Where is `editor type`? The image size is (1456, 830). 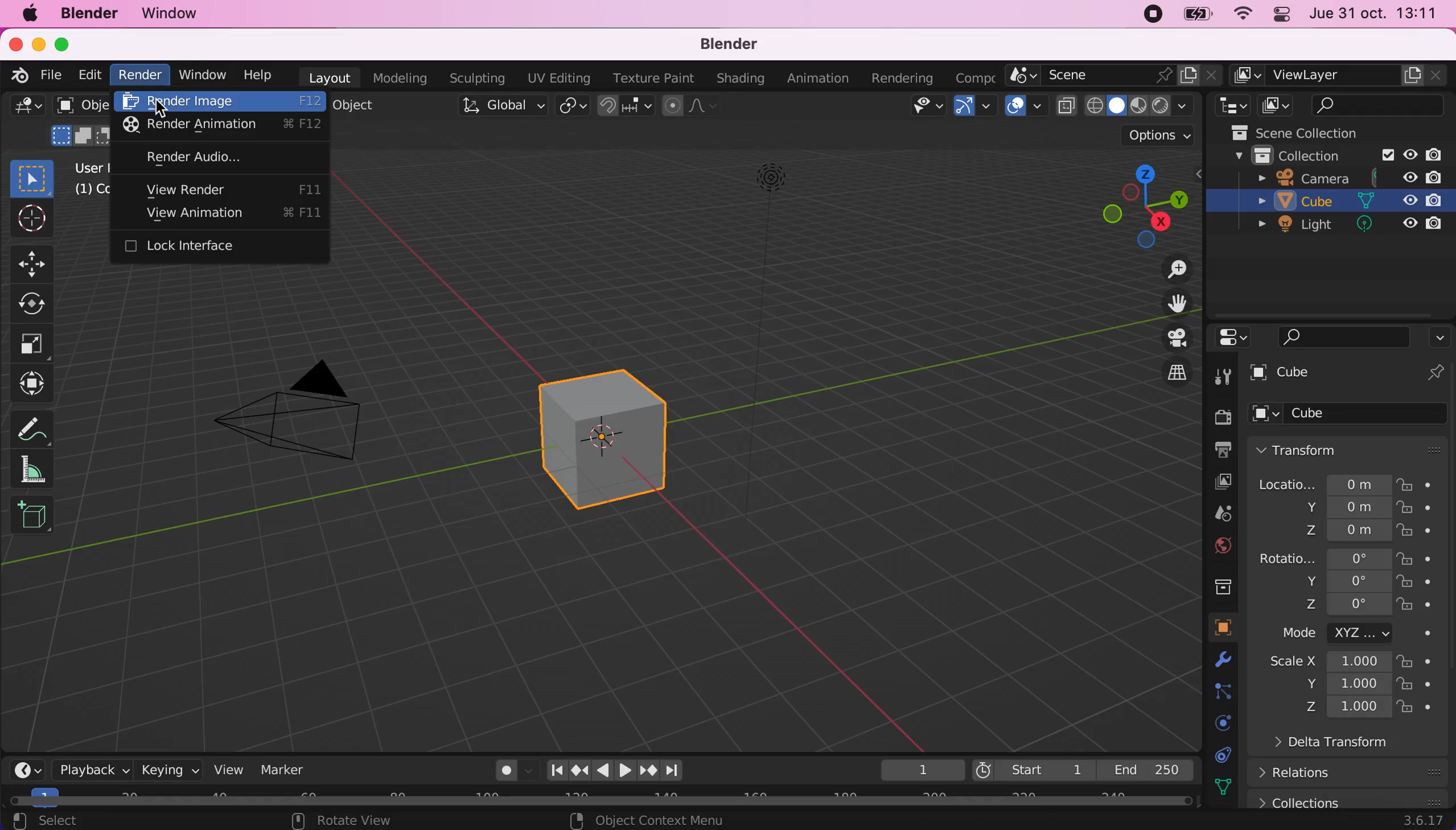 editor type is located at coordinates (28, 109).